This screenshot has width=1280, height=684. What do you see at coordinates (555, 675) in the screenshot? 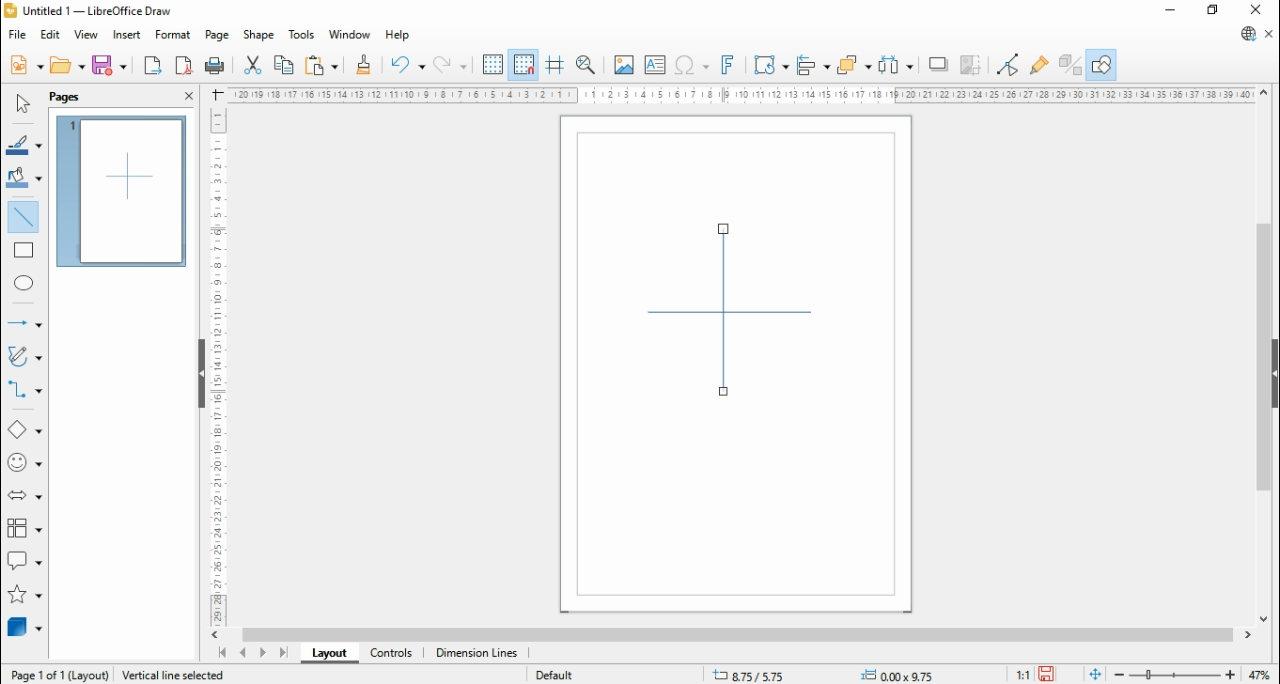
I see `default` at bounding box center [555, 675].